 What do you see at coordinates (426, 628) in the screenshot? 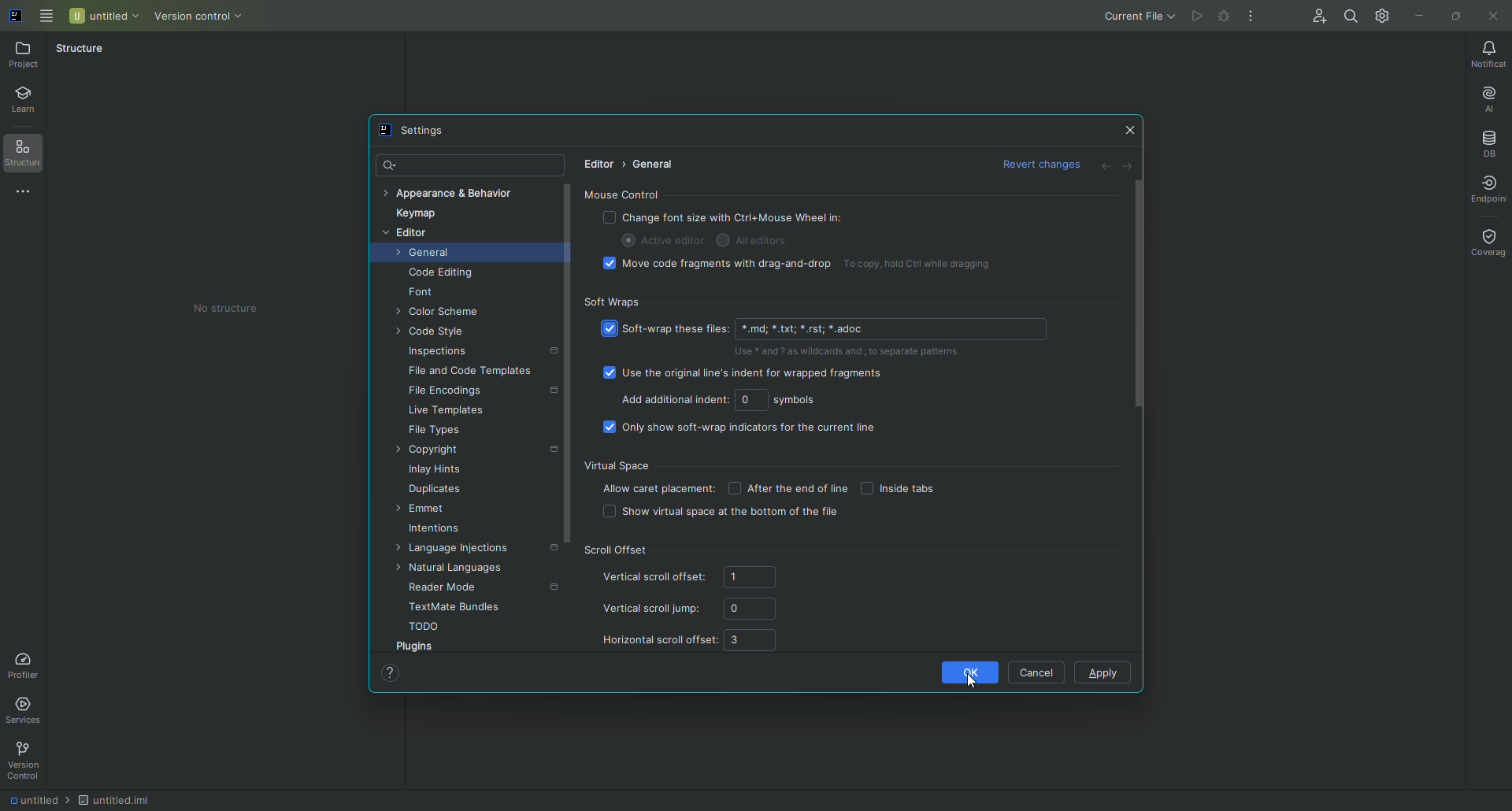
I see `TODO` at bounding box center [426, 628].